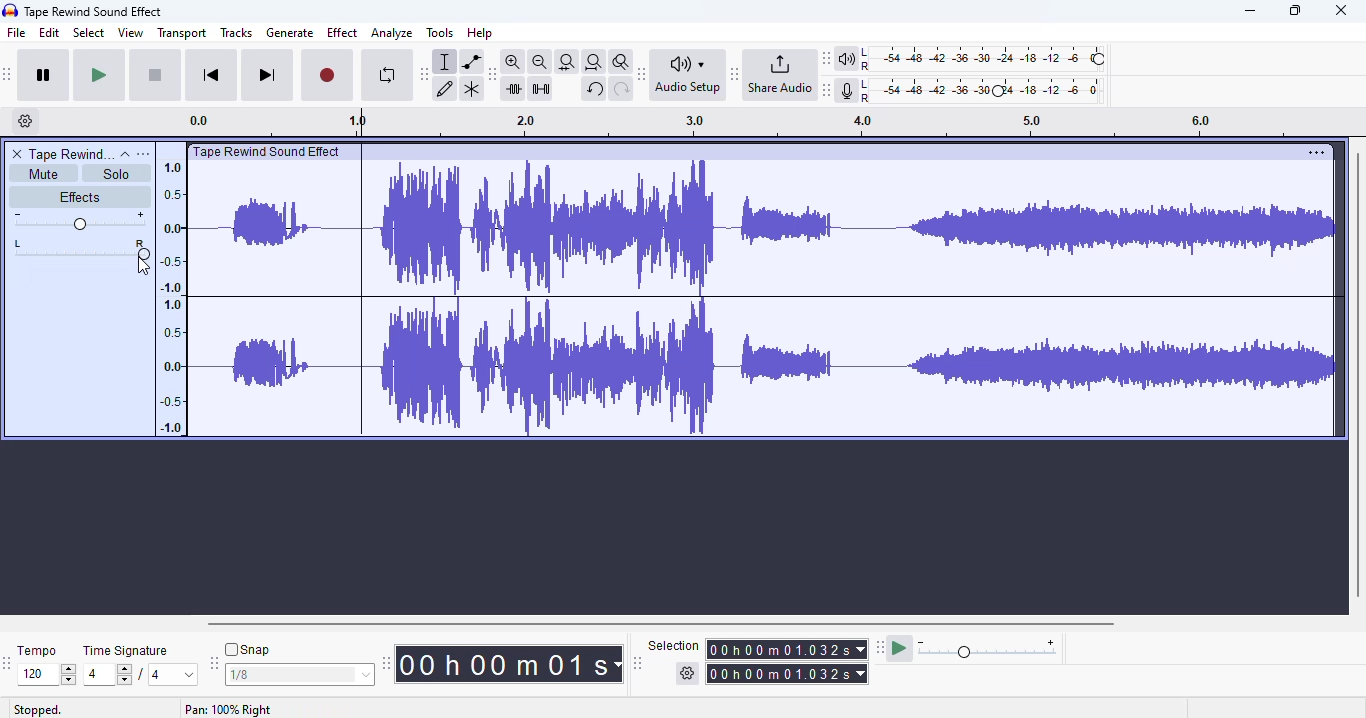  I want to click on cursor, so click(143, 266).